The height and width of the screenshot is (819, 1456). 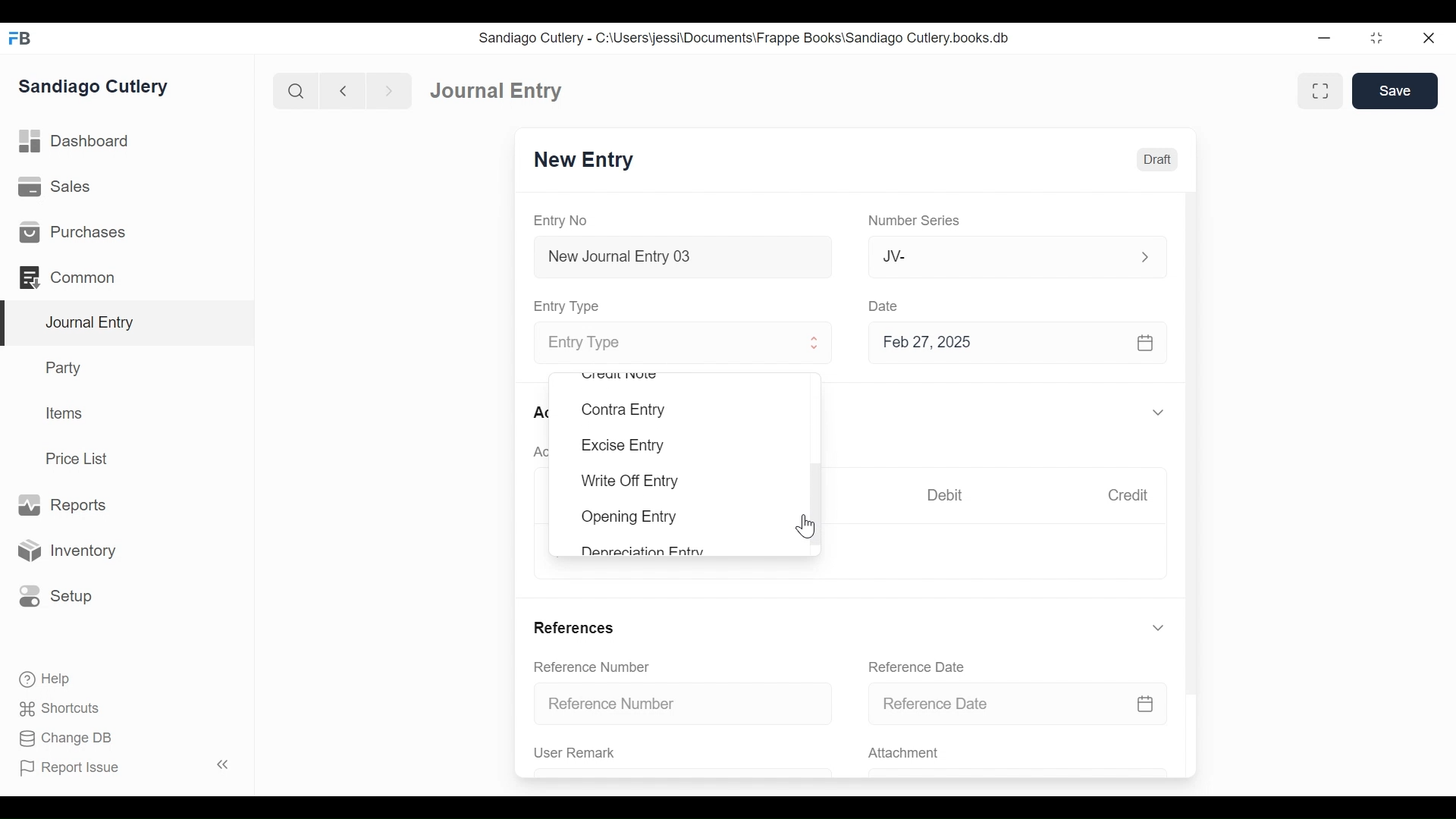 I want to click on Commons, so click(x=66, y=277).